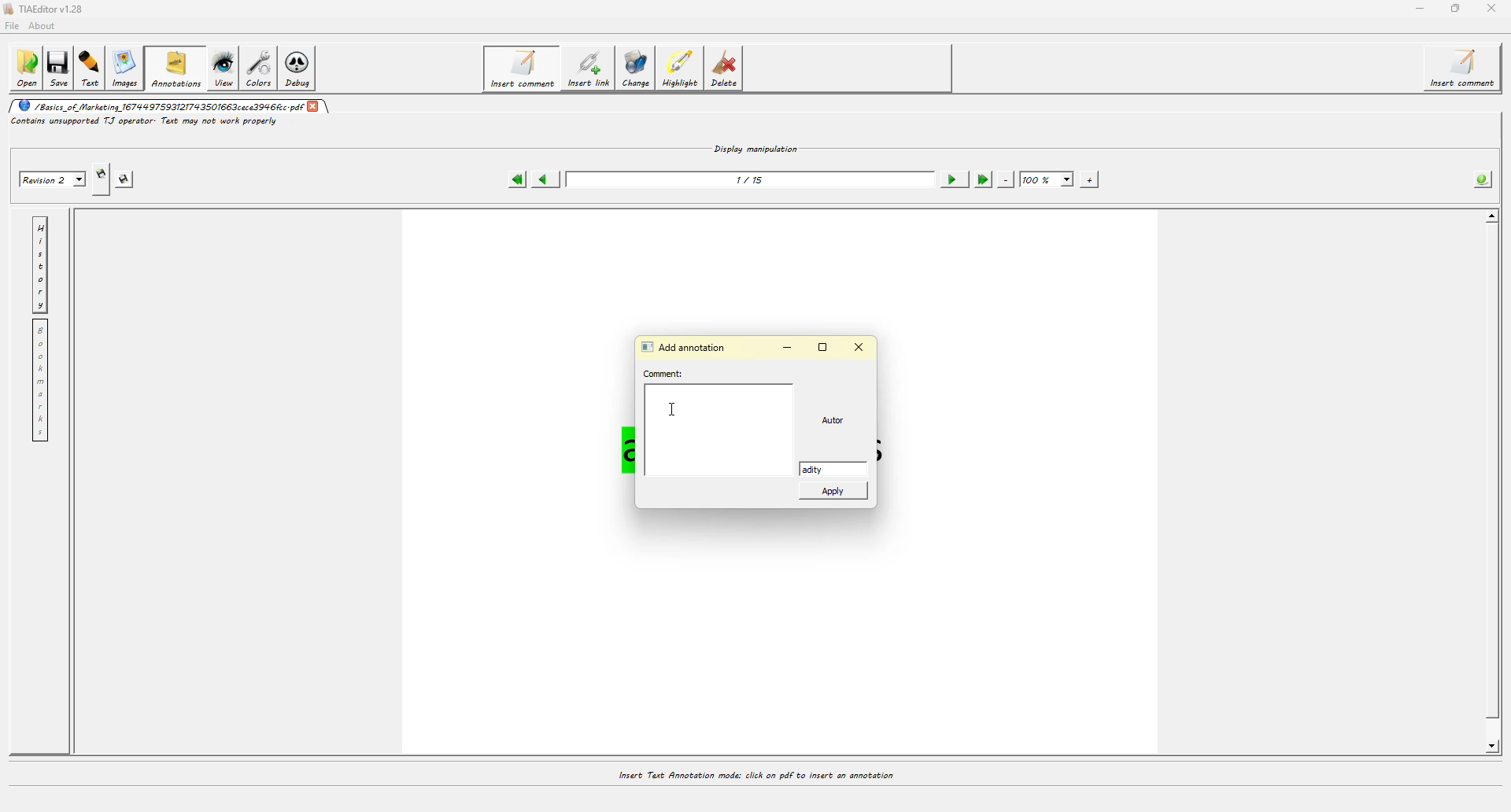 The height and width of the screenshot is (812, 1511). What do you see at coordinates (46, 25) in the screenshot?
I see `about` at bounding box center [46, 25].